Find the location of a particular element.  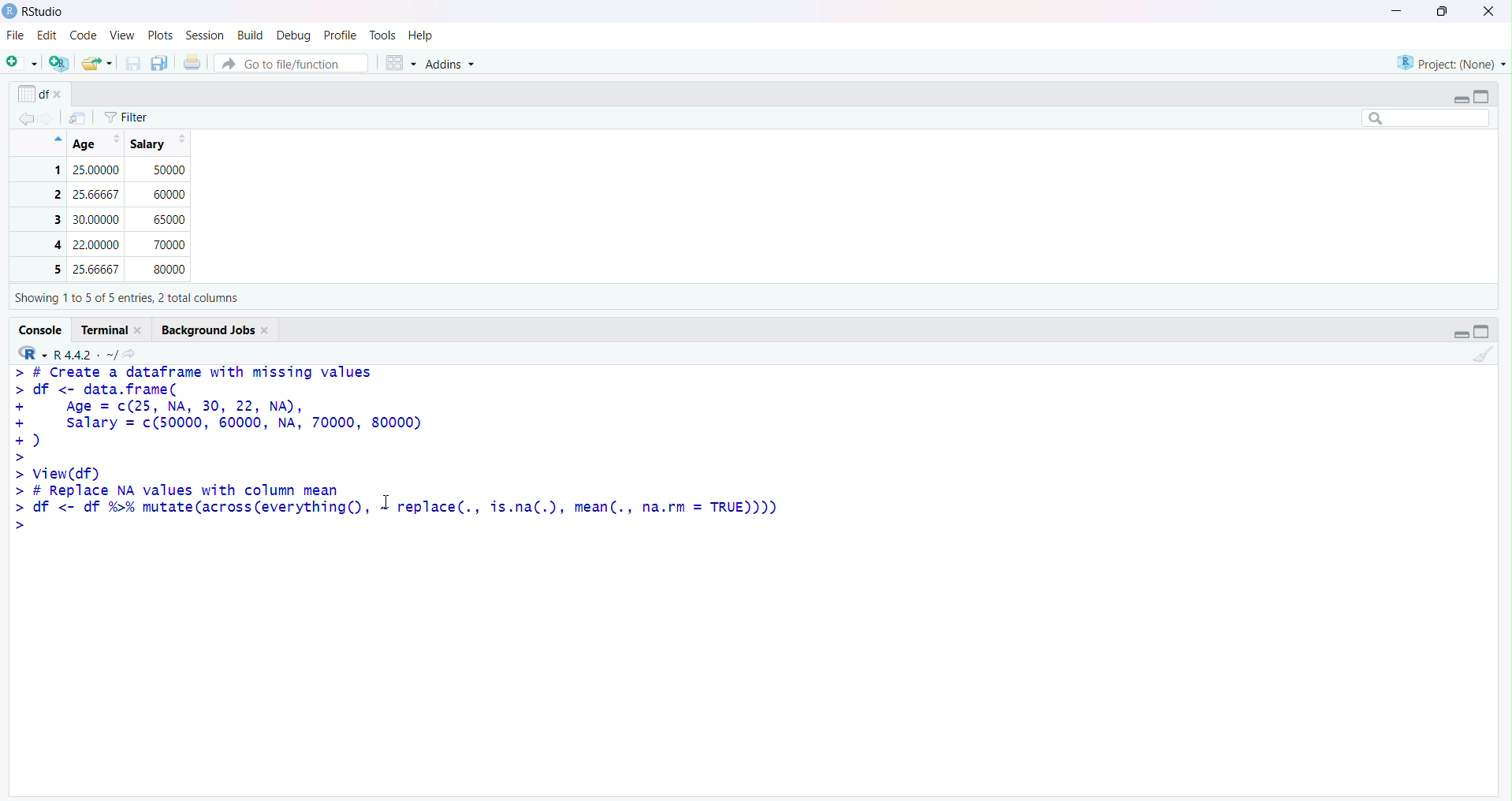

Minimize is located at coordinates (1460, 333).